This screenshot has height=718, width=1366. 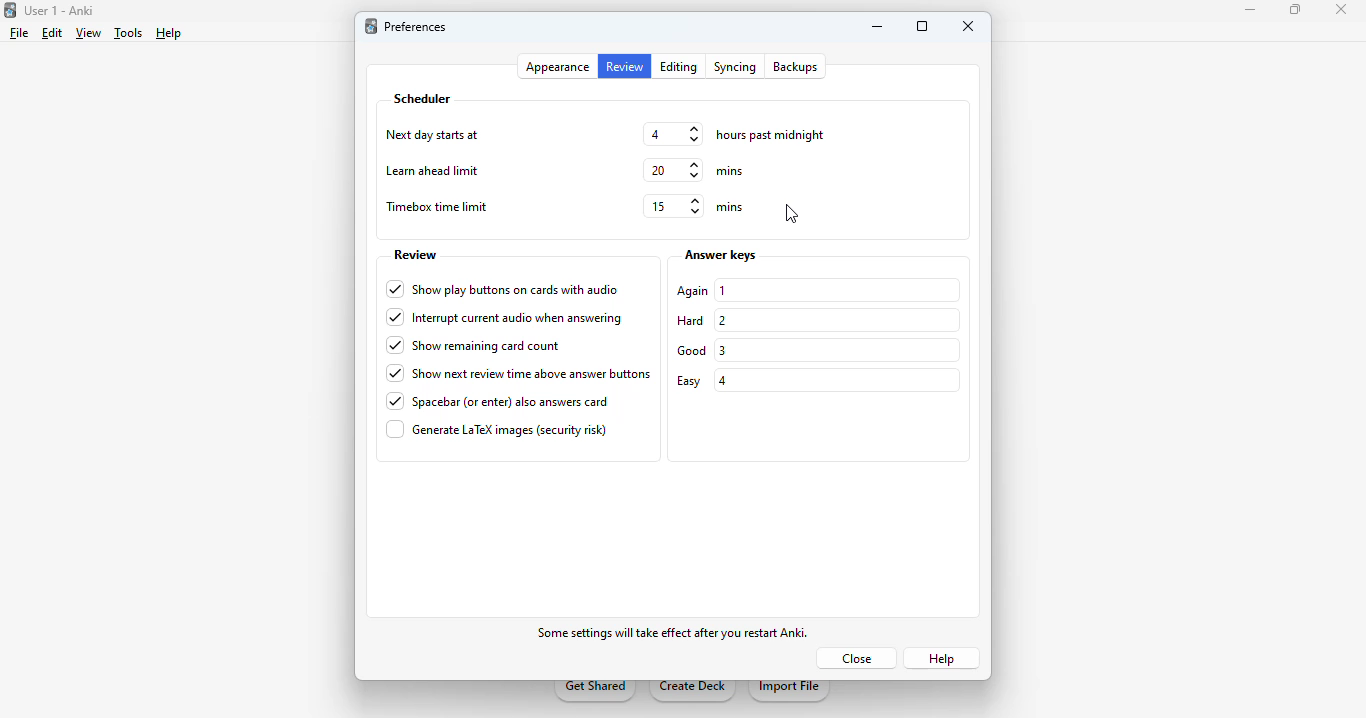 What do you see at coordinates (770, 135) in the screenshot?
I see `hours past midnight` at bounding box center [770, 135].